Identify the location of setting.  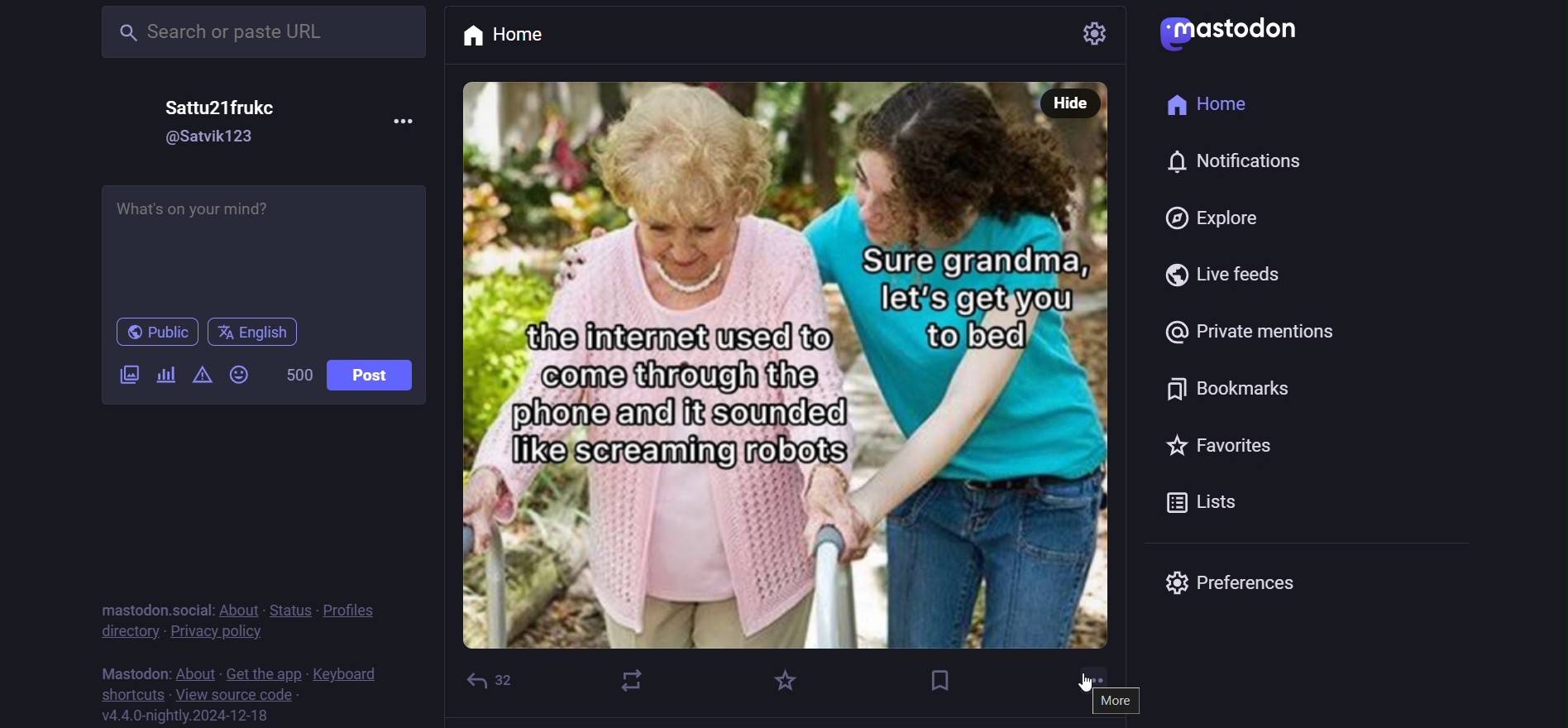
(1080, 32).